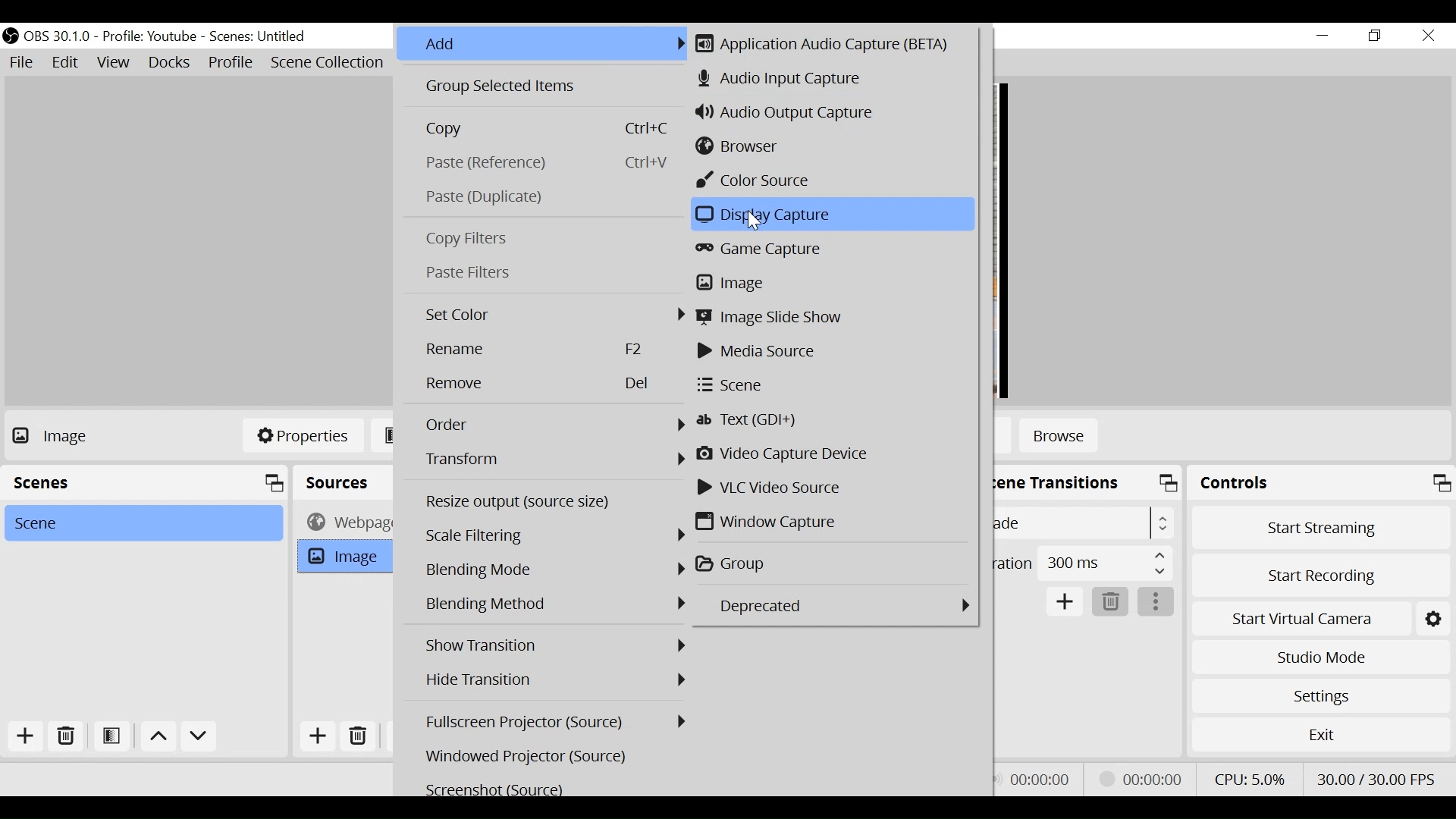  Describe the element at coordinates (64, 737) in the screenshot. I see `Delete` at that location.